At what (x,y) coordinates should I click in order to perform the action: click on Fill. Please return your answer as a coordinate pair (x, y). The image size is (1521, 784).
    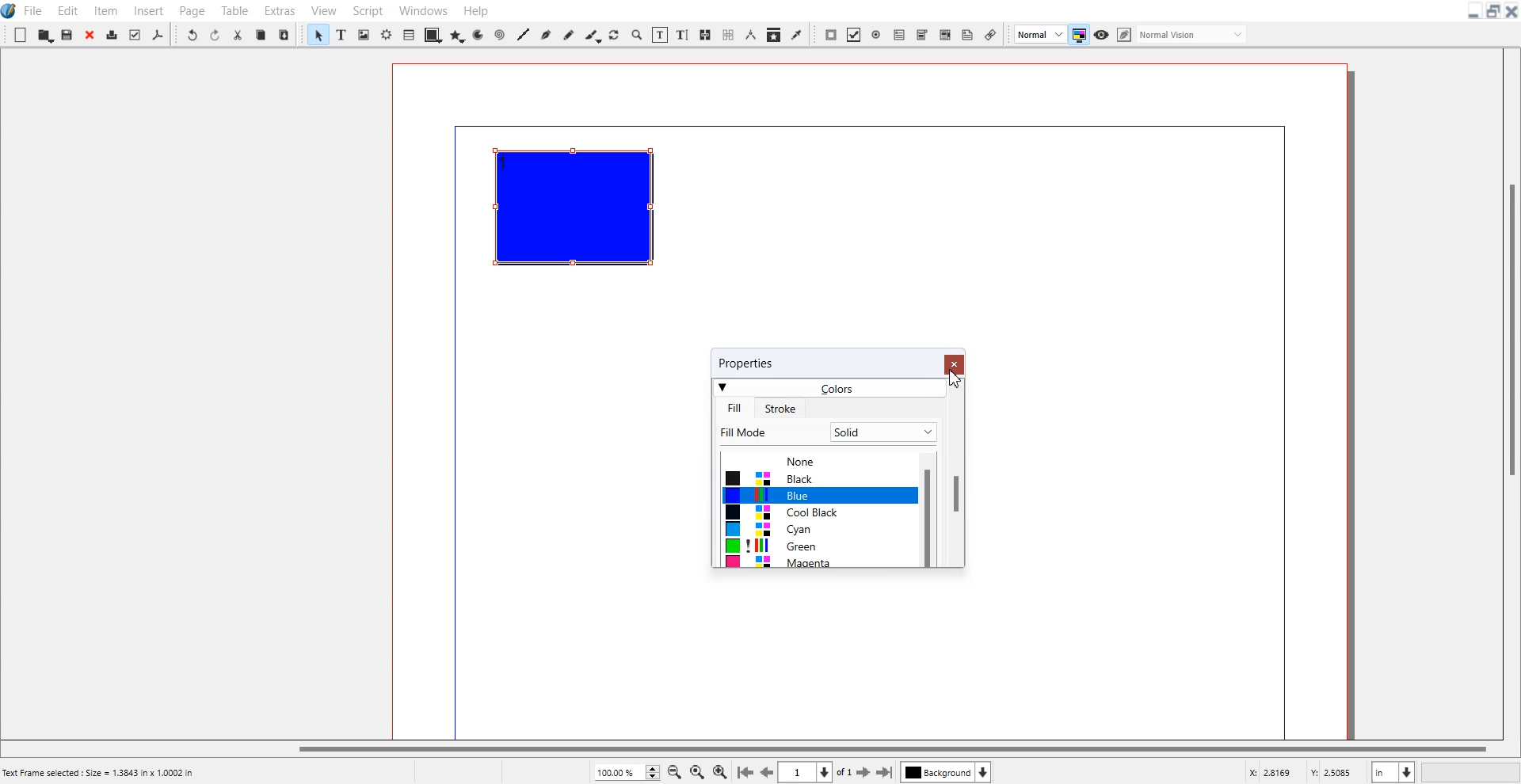
    Looking at the image, I should click on (733, 407).